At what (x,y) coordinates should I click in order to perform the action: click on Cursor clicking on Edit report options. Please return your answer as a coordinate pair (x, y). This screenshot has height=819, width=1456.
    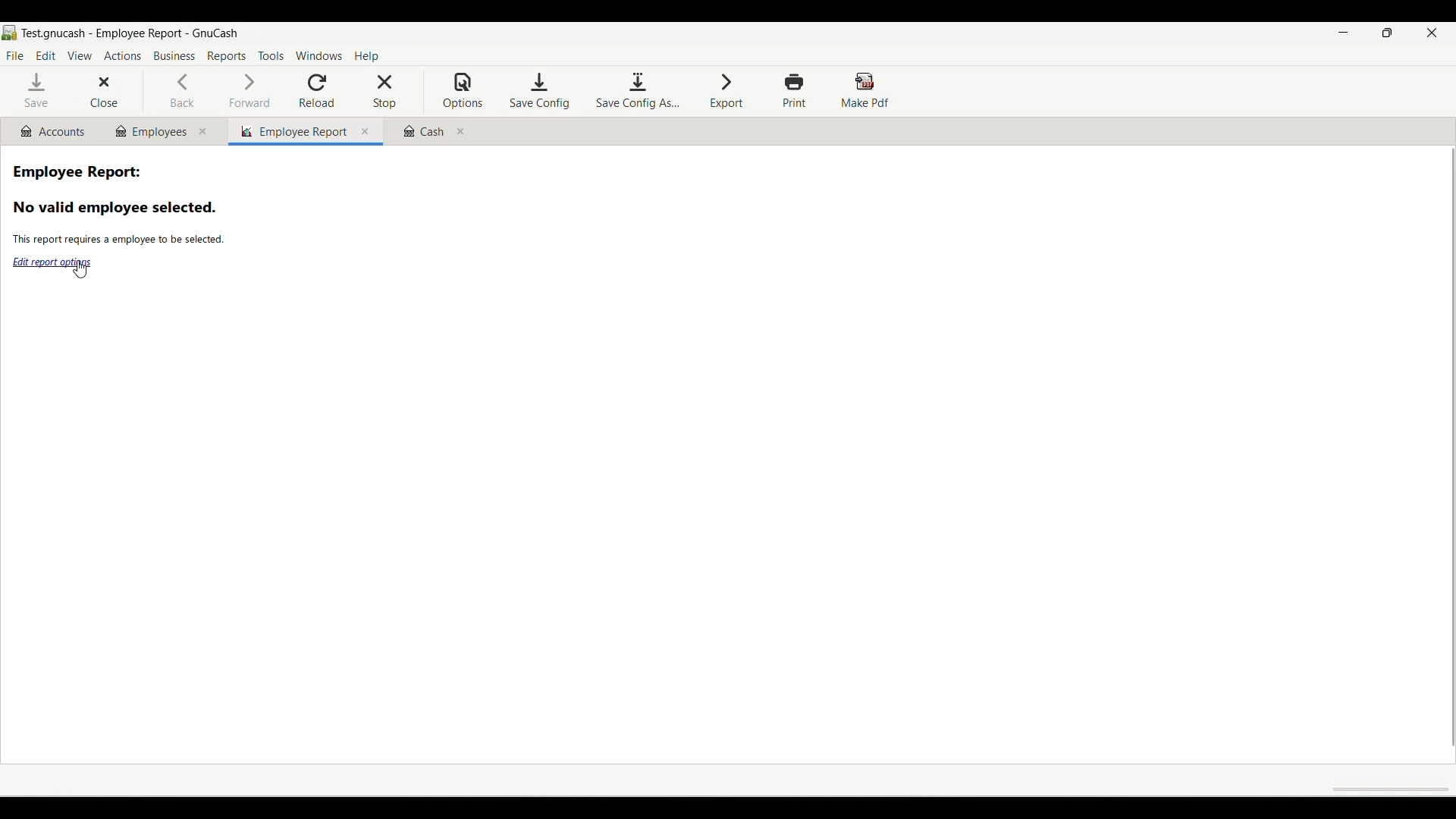
    Looking at the image, I should click on (82, 270).